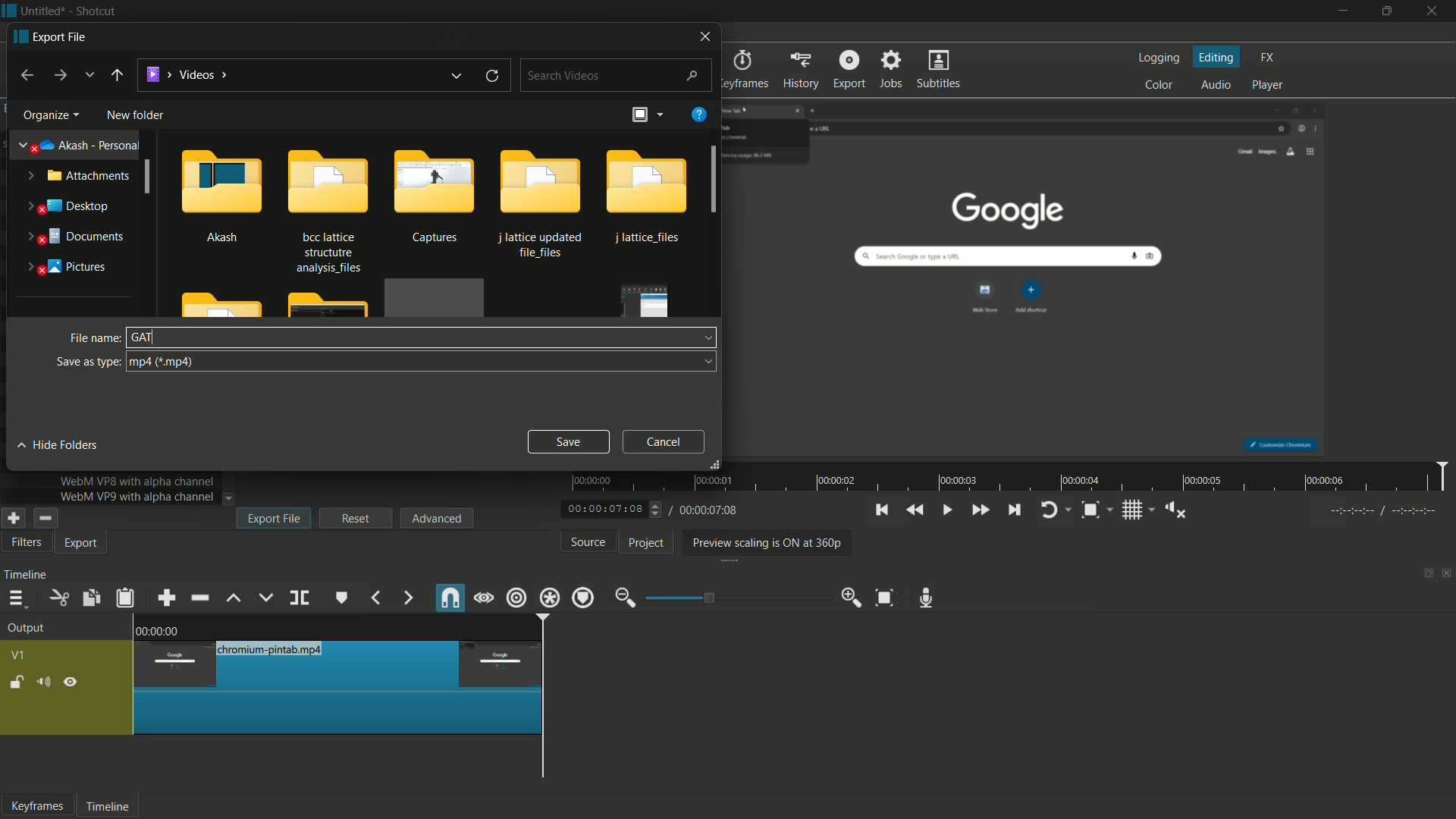  I want to click on timeline, so click(105, 808).